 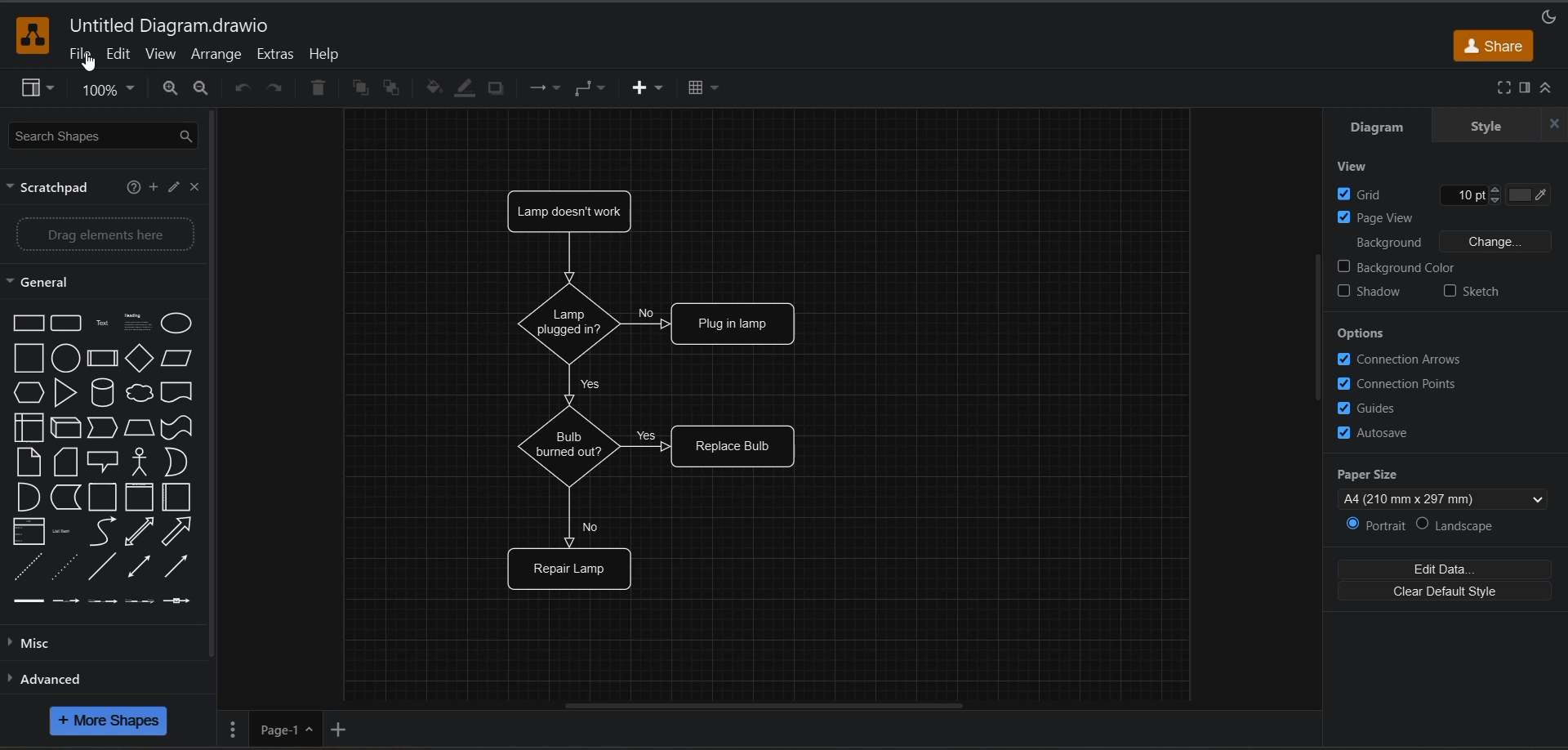 I want to click on more shapes, so click(x=111, y=721).